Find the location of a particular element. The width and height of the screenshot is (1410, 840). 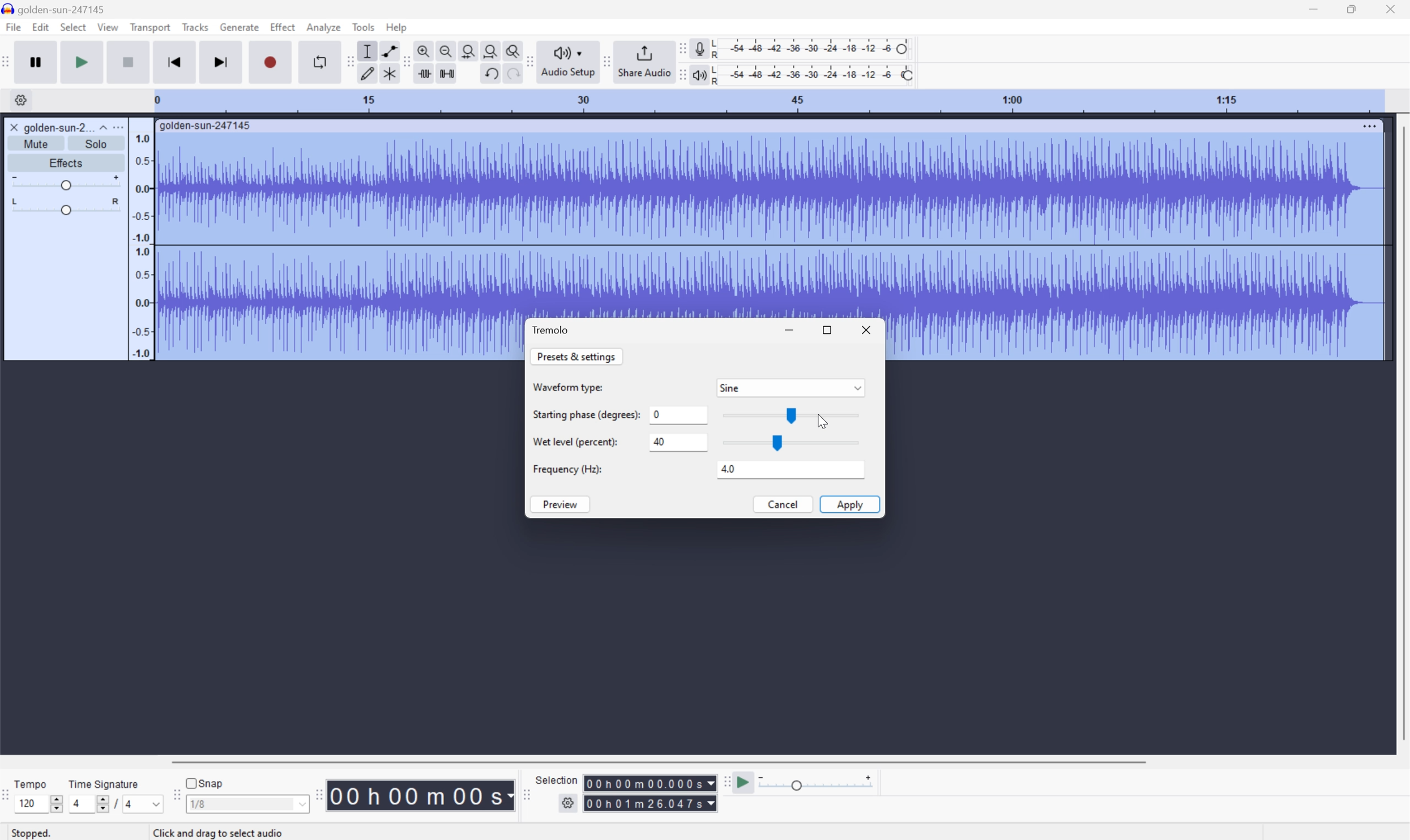

Multi tool is located at coordinates (387, 74).